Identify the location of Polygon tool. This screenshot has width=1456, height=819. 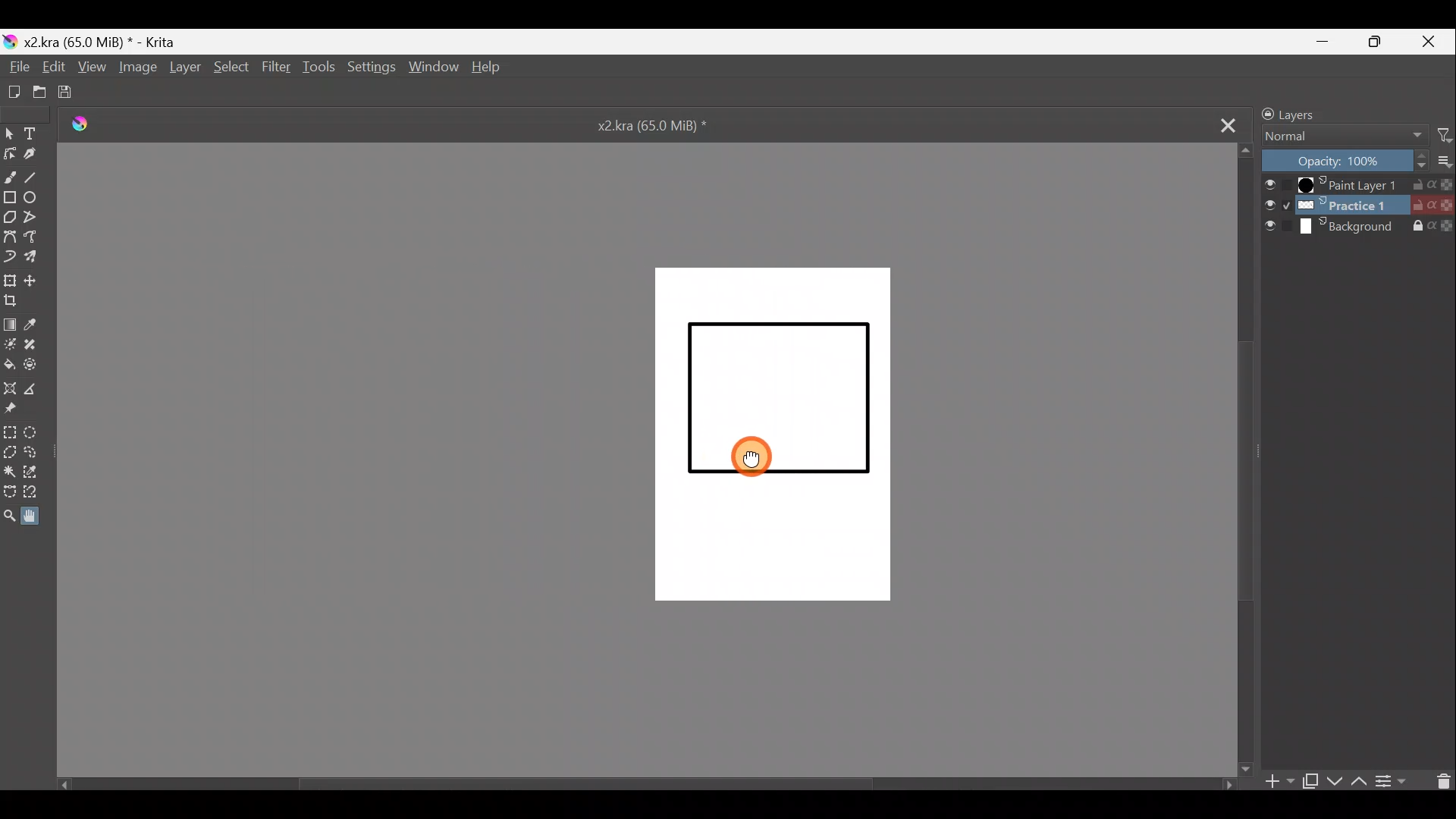
(9, 219).